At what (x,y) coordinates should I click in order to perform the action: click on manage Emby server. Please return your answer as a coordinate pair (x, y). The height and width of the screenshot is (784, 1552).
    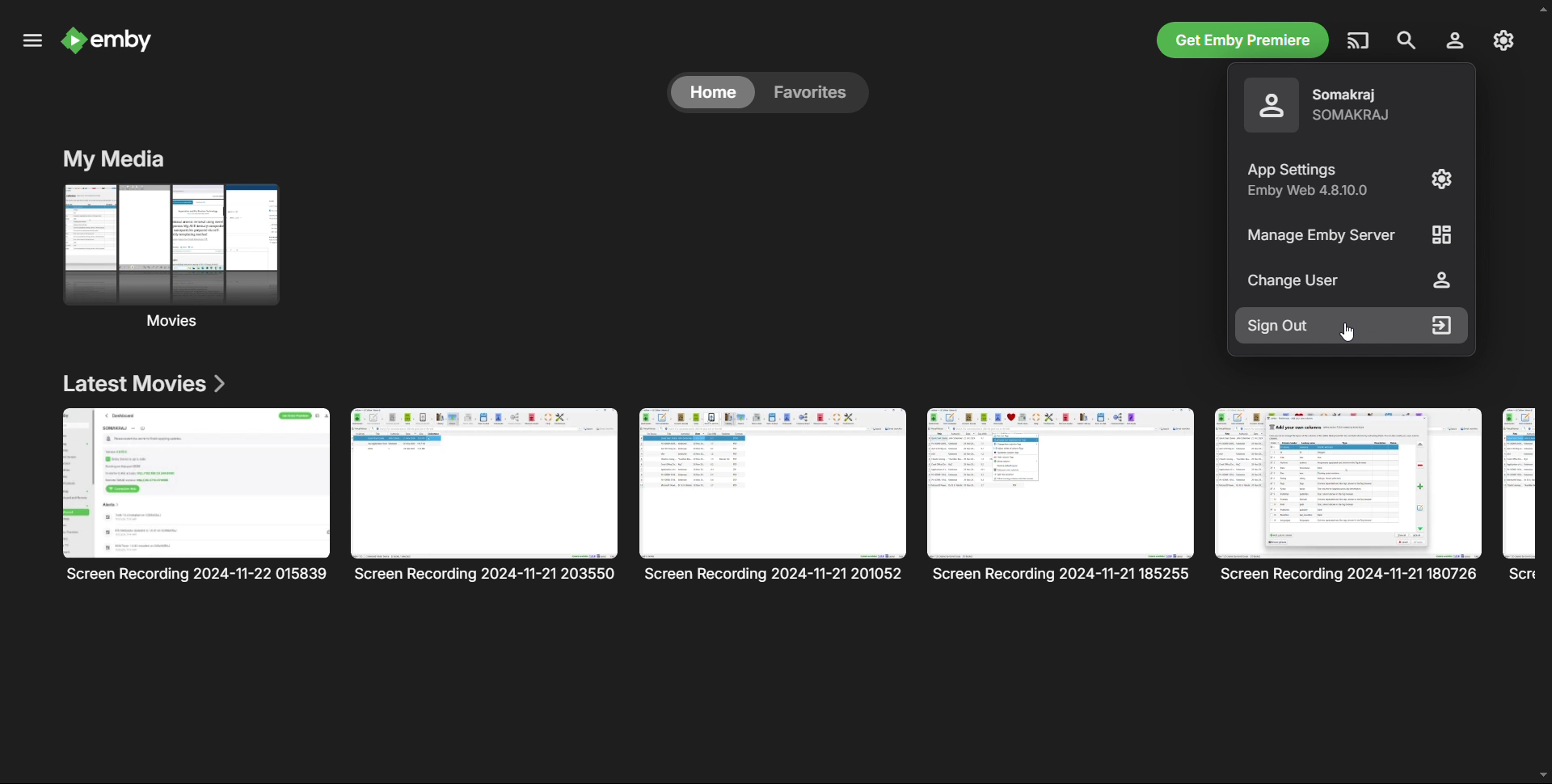
    Looking at the image, I should click on (1351, 234).